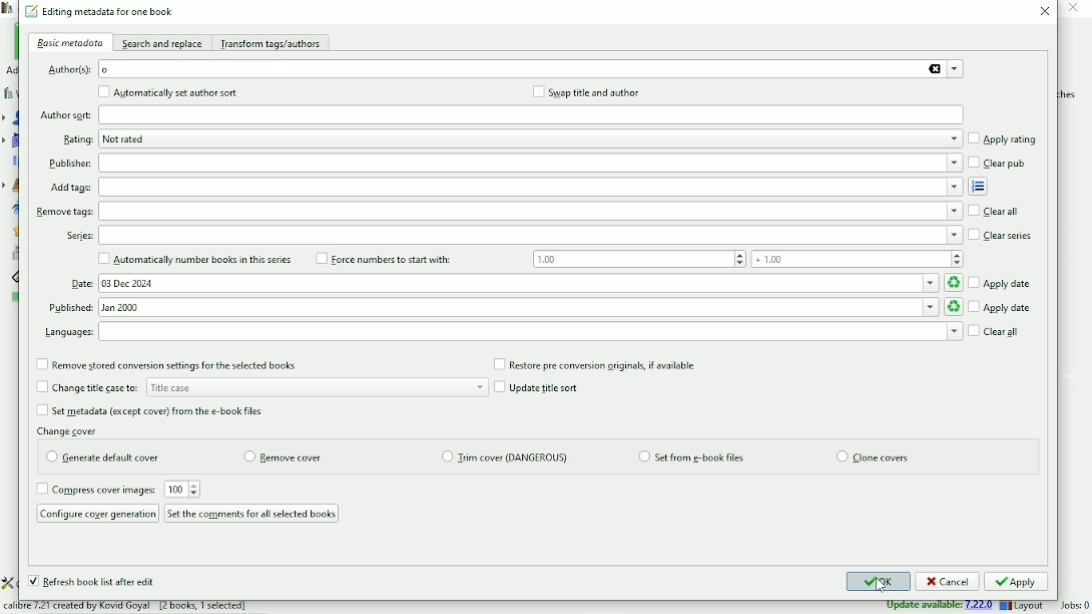 The height and width of the screenshot is (614, 1092). I want to click on Apply date, so click(1001, 308).